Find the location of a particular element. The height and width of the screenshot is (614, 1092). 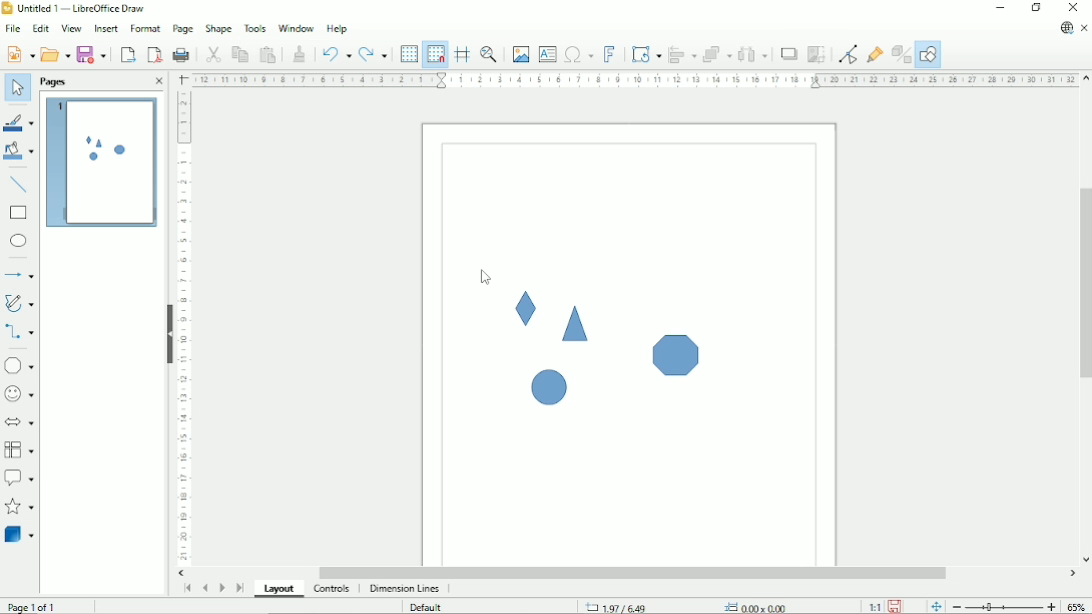

Show gluepoint functions is located at coordinates (874, 52).